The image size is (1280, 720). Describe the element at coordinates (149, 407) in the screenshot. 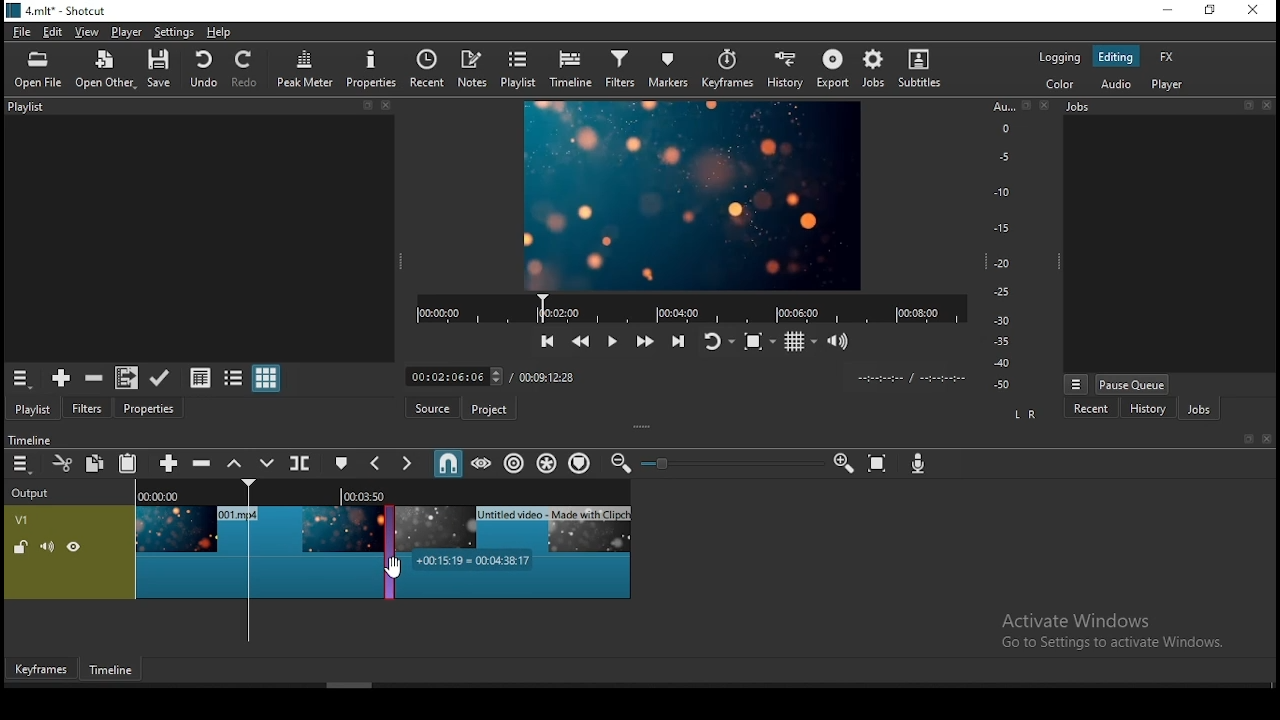

I see `properties` at that location.